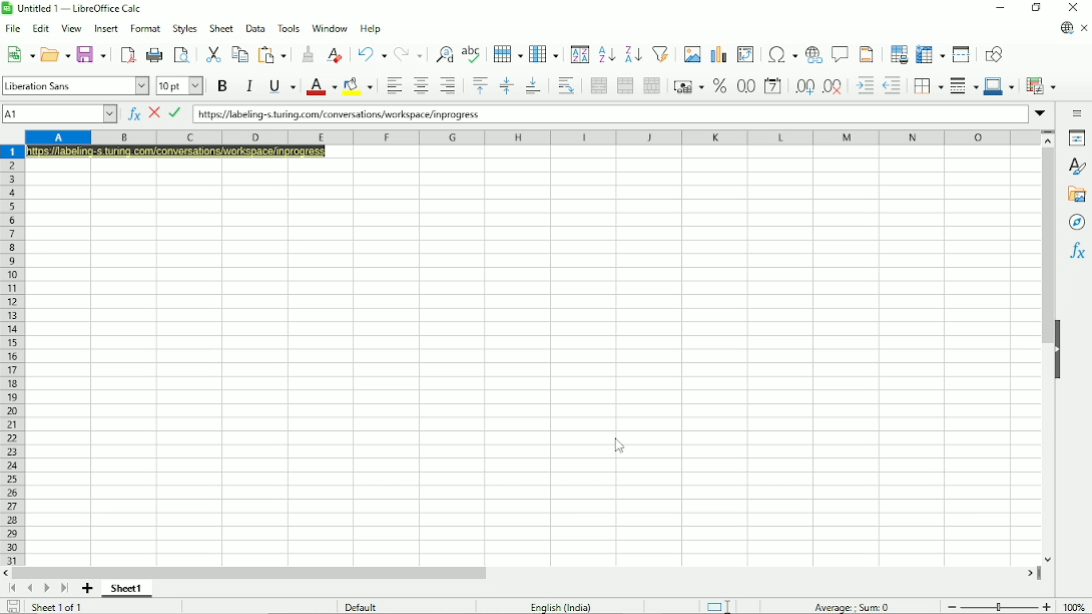  What do you see at coordinates (250, 86) in the screenshot?
I see `Italic` at bounding box center [250, 86].